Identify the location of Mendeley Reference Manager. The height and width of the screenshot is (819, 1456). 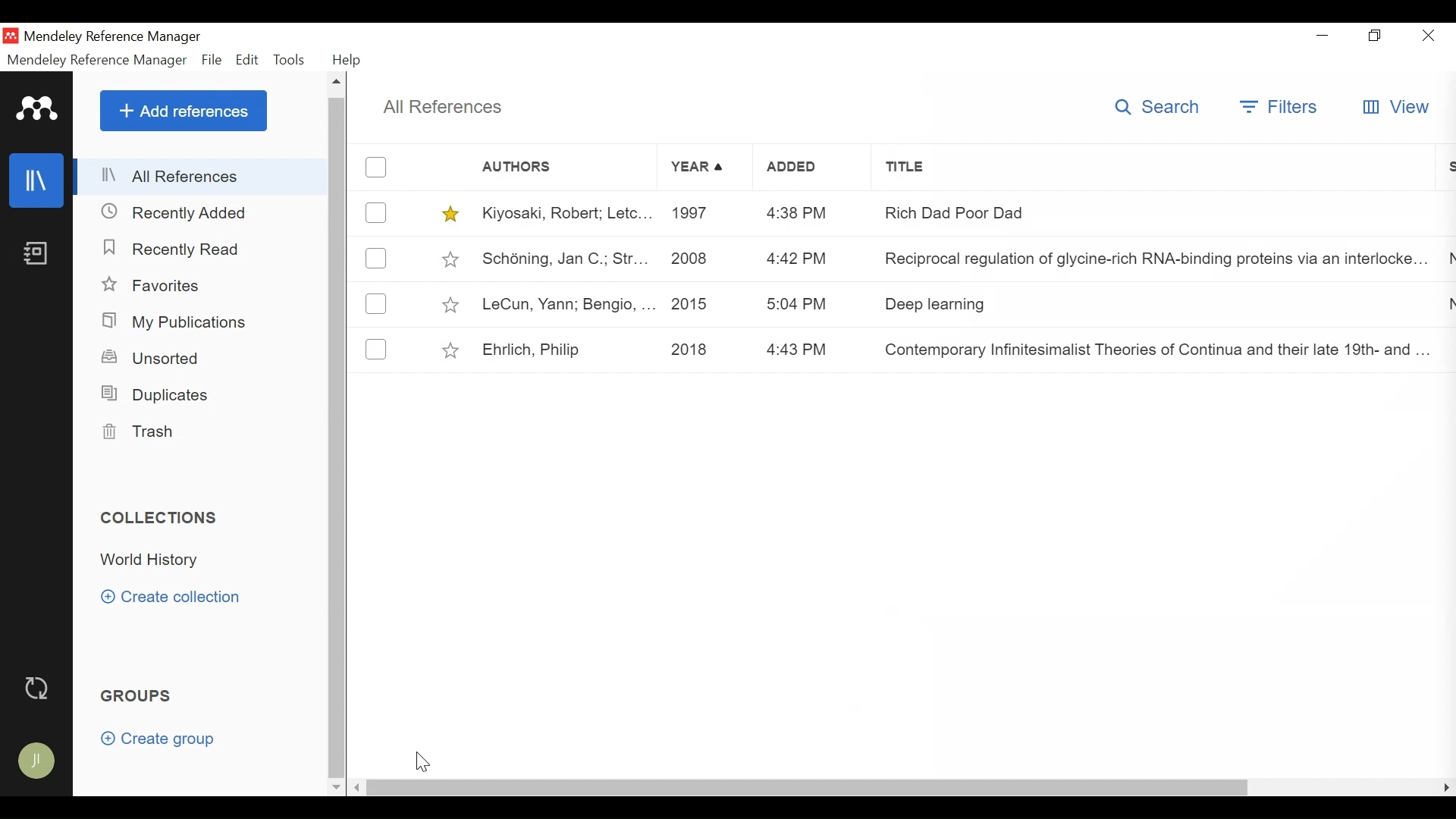
(118, 36).